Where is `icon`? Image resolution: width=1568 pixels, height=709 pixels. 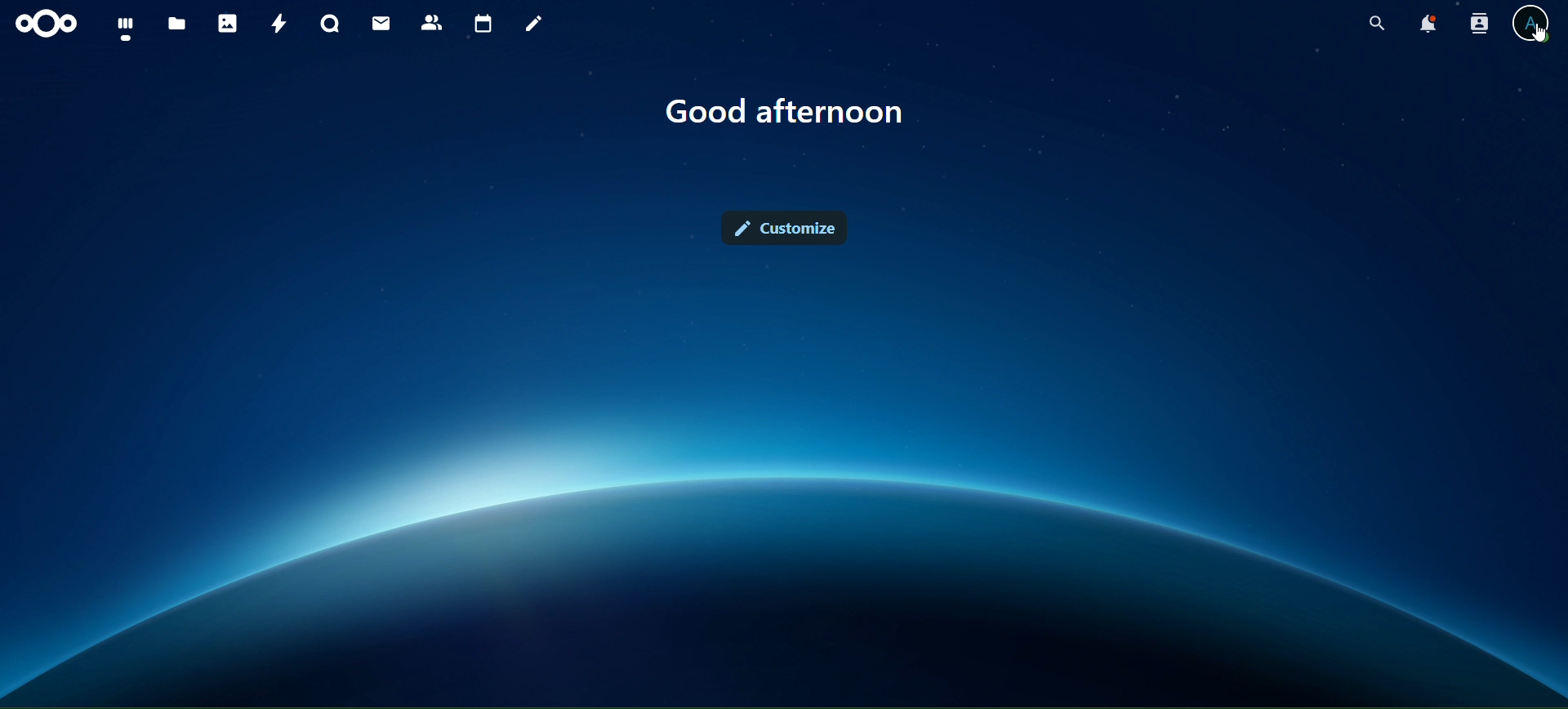
icon is located at coordinates (46, 24).